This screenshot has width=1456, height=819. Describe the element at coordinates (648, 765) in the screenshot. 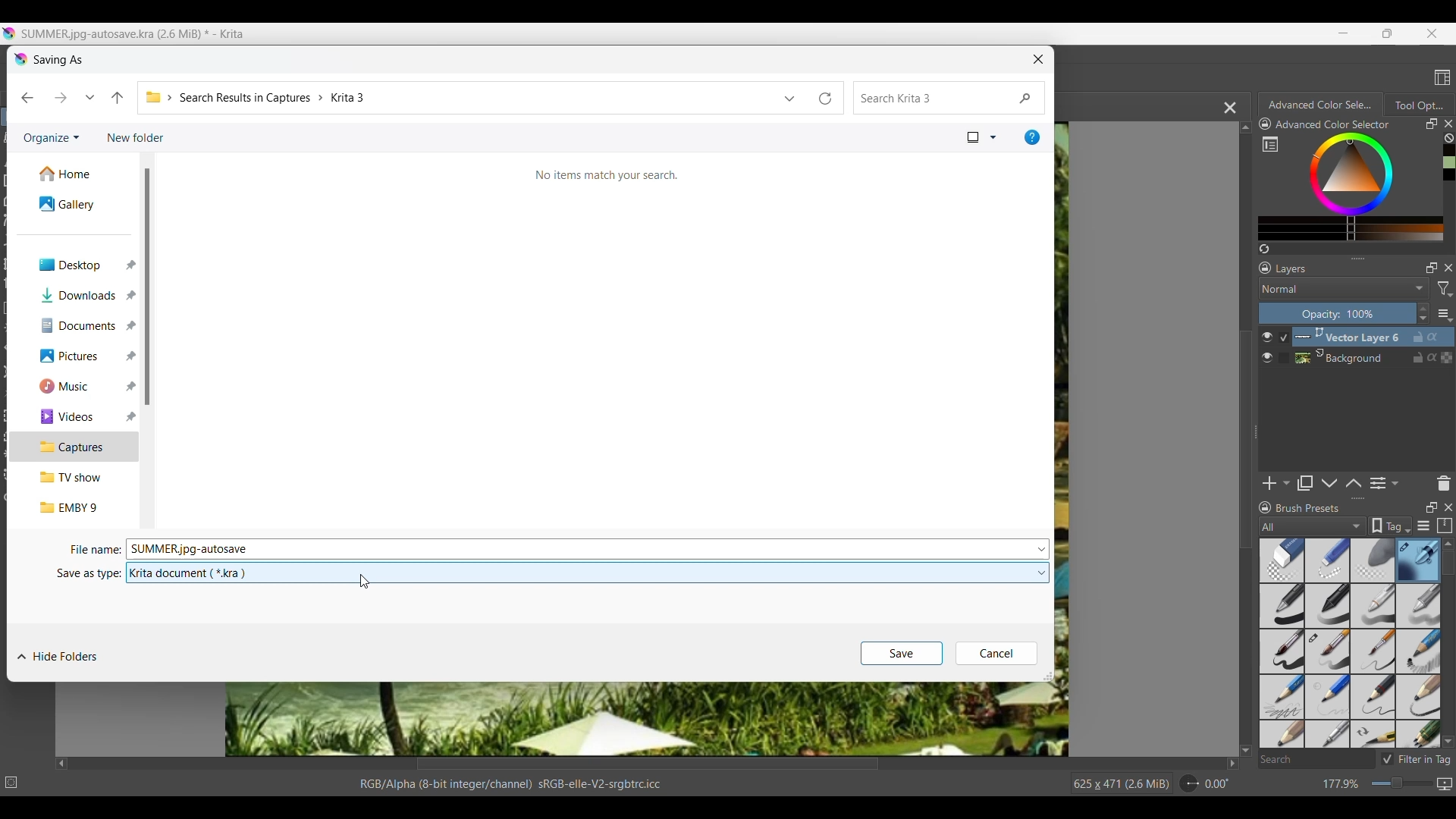

I see `Horizontal slide bar` at that location.